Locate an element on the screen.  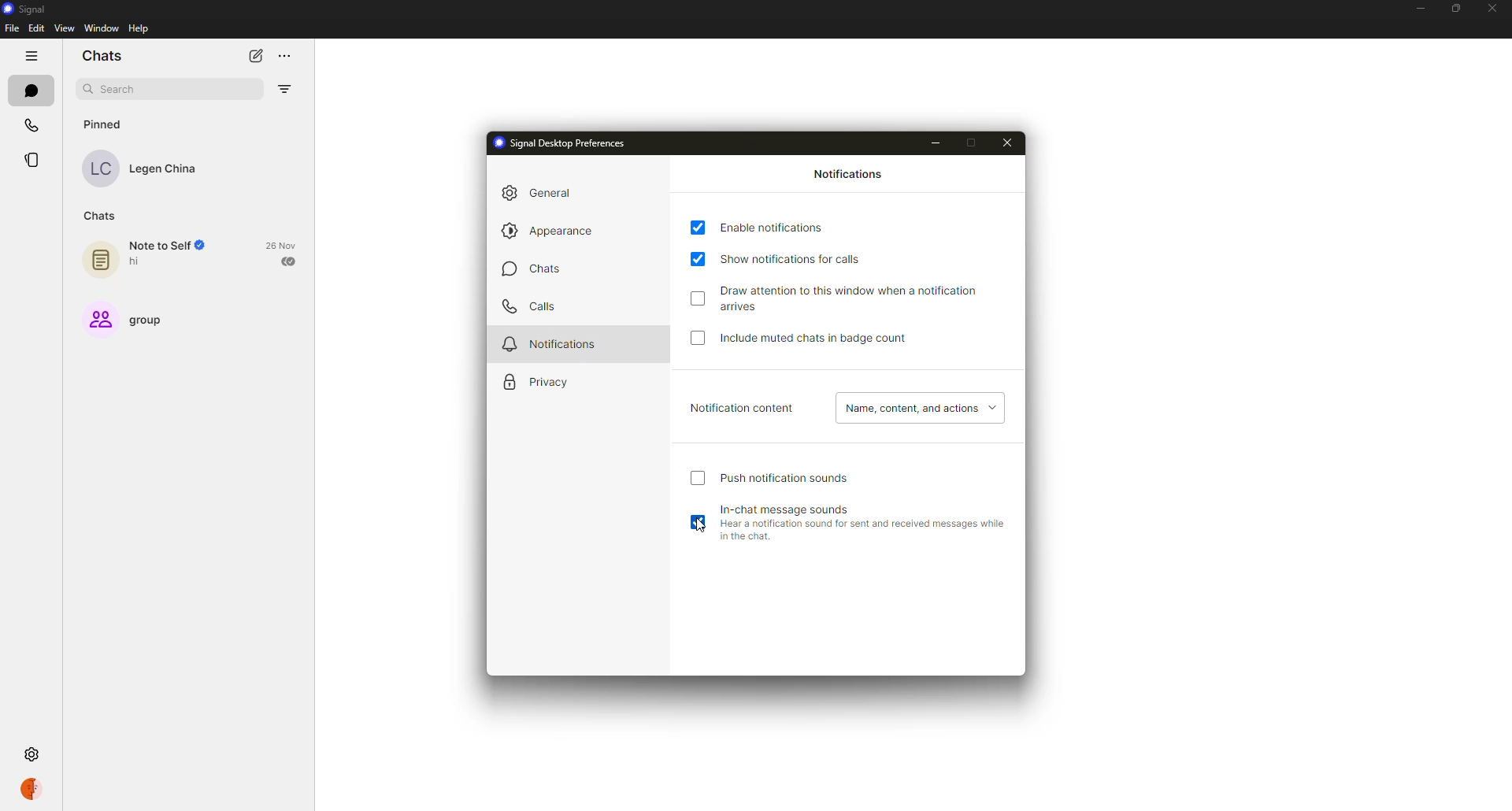
chats is located at coordinates (31, 89).